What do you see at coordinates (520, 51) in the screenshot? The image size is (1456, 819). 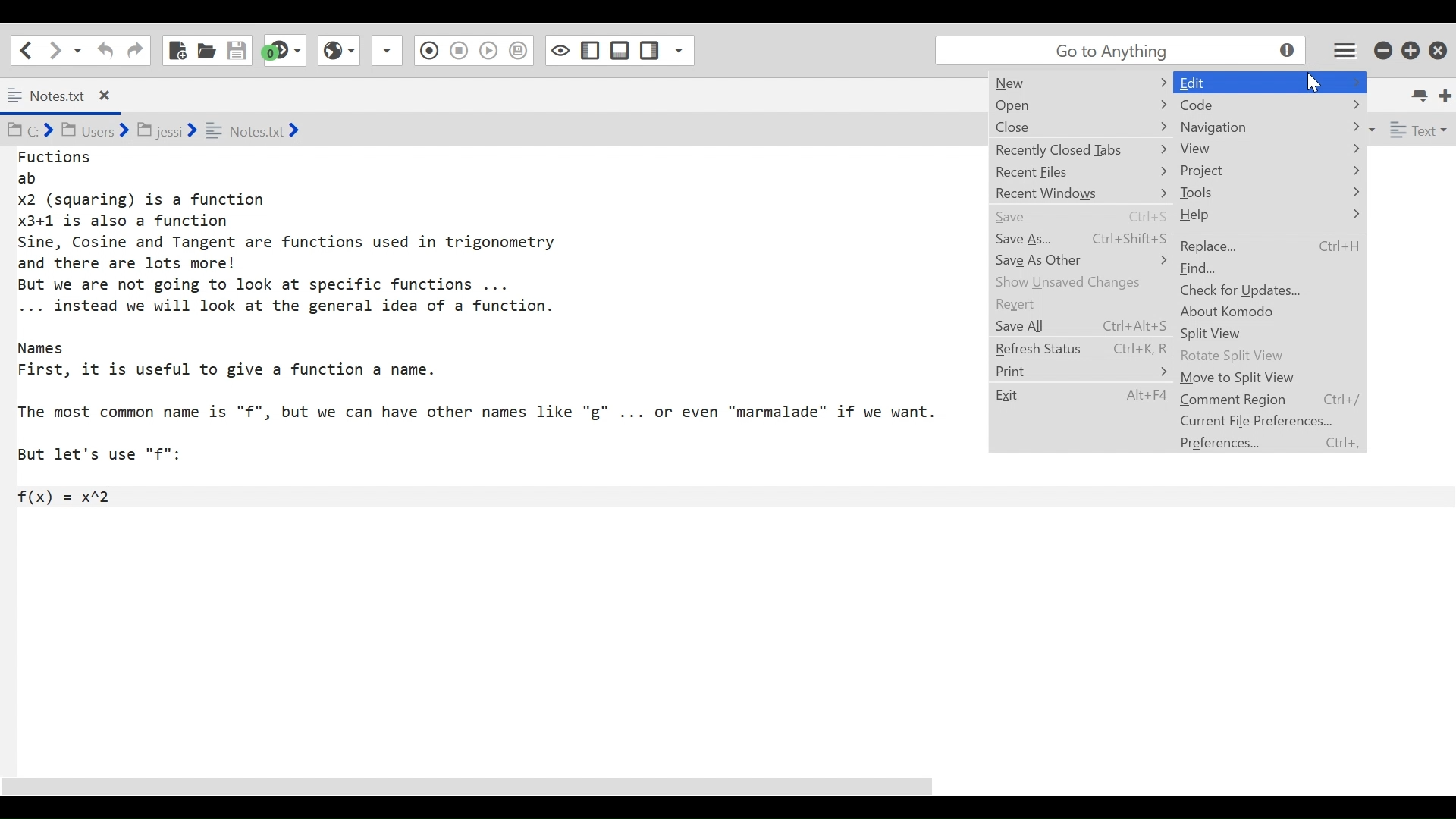 I see `Toggle Focus mode` at bounding box center [520, 51].